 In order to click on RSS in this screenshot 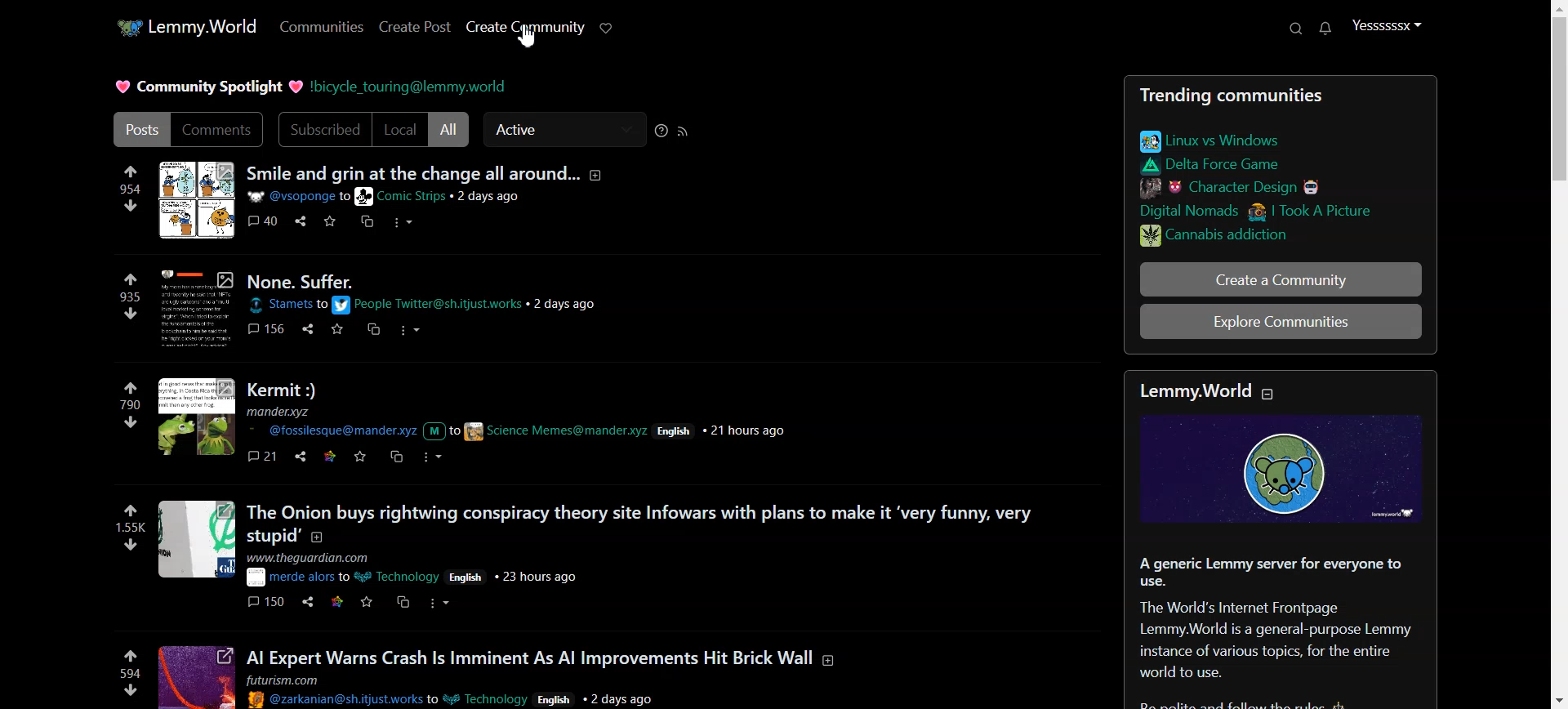, I will do `click(684, 130)`.